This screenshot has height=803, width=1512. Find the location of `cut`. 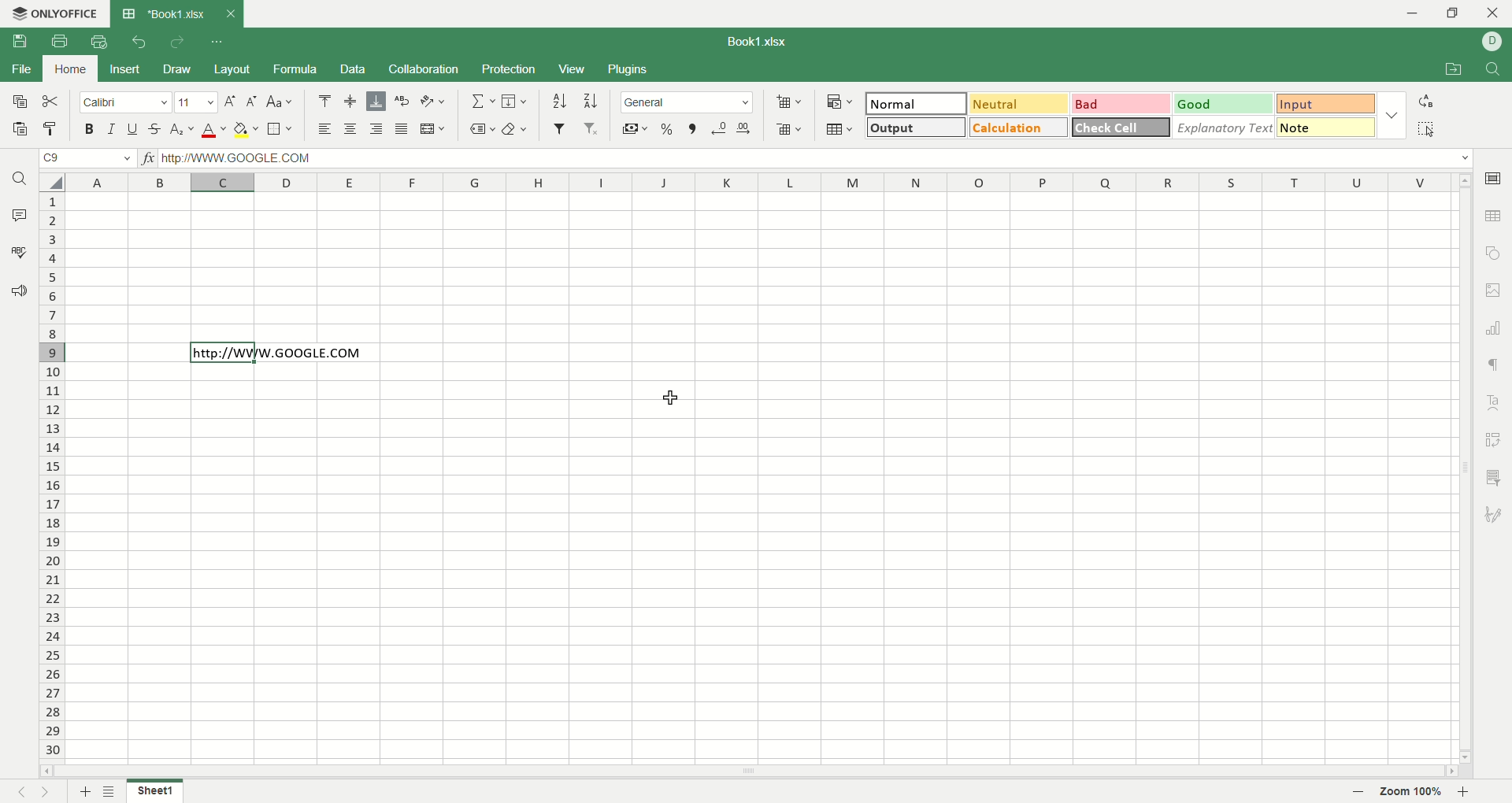

cut is located at coordinates (54, 103).